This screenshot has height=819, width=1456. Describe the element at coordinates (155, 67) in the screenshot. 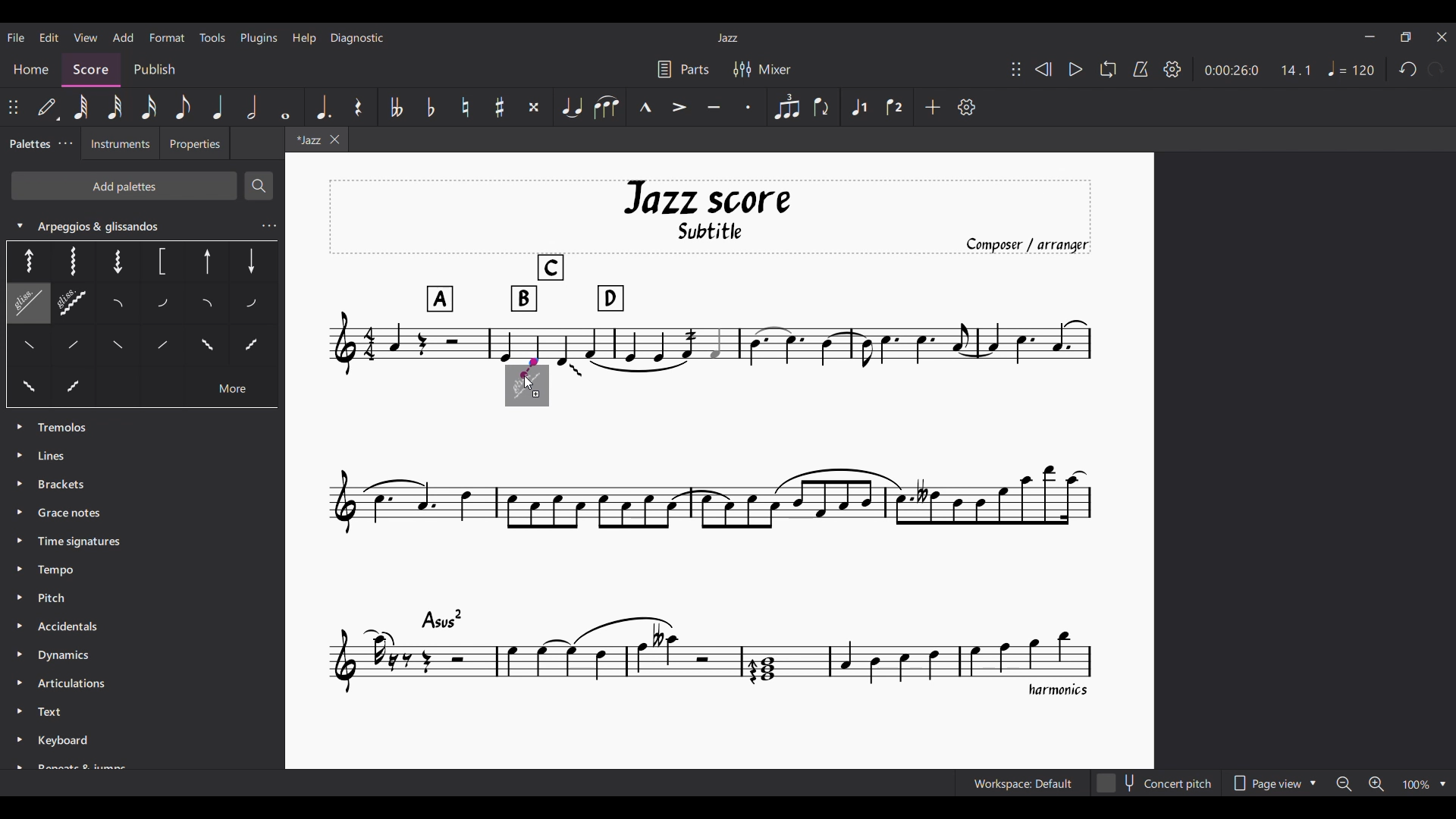

I see `Publish` at that location.